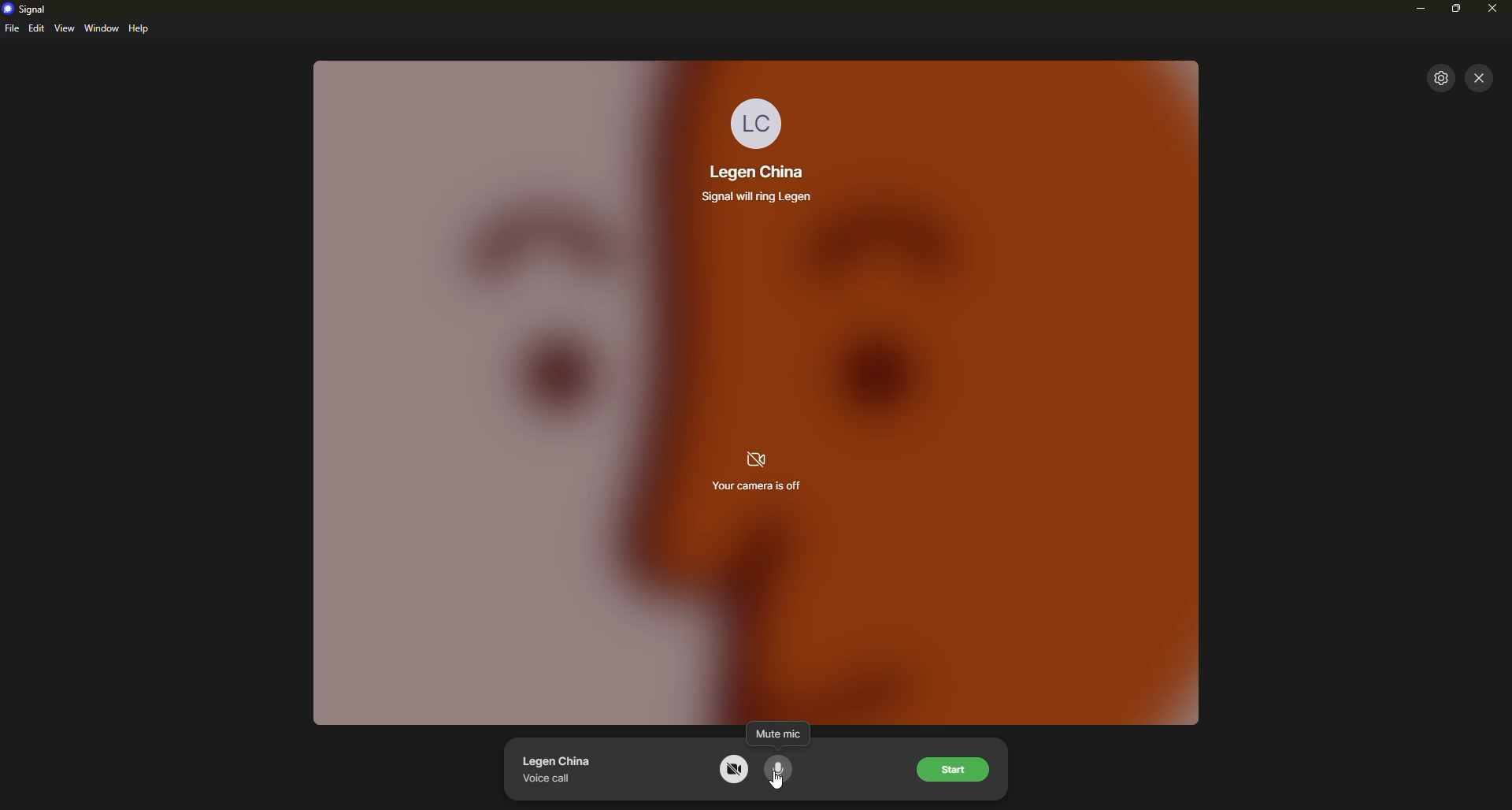  What do you see at coordinates (780, 771) in the screenshot?
I see `mute mic` at bounding box center [780, 771].